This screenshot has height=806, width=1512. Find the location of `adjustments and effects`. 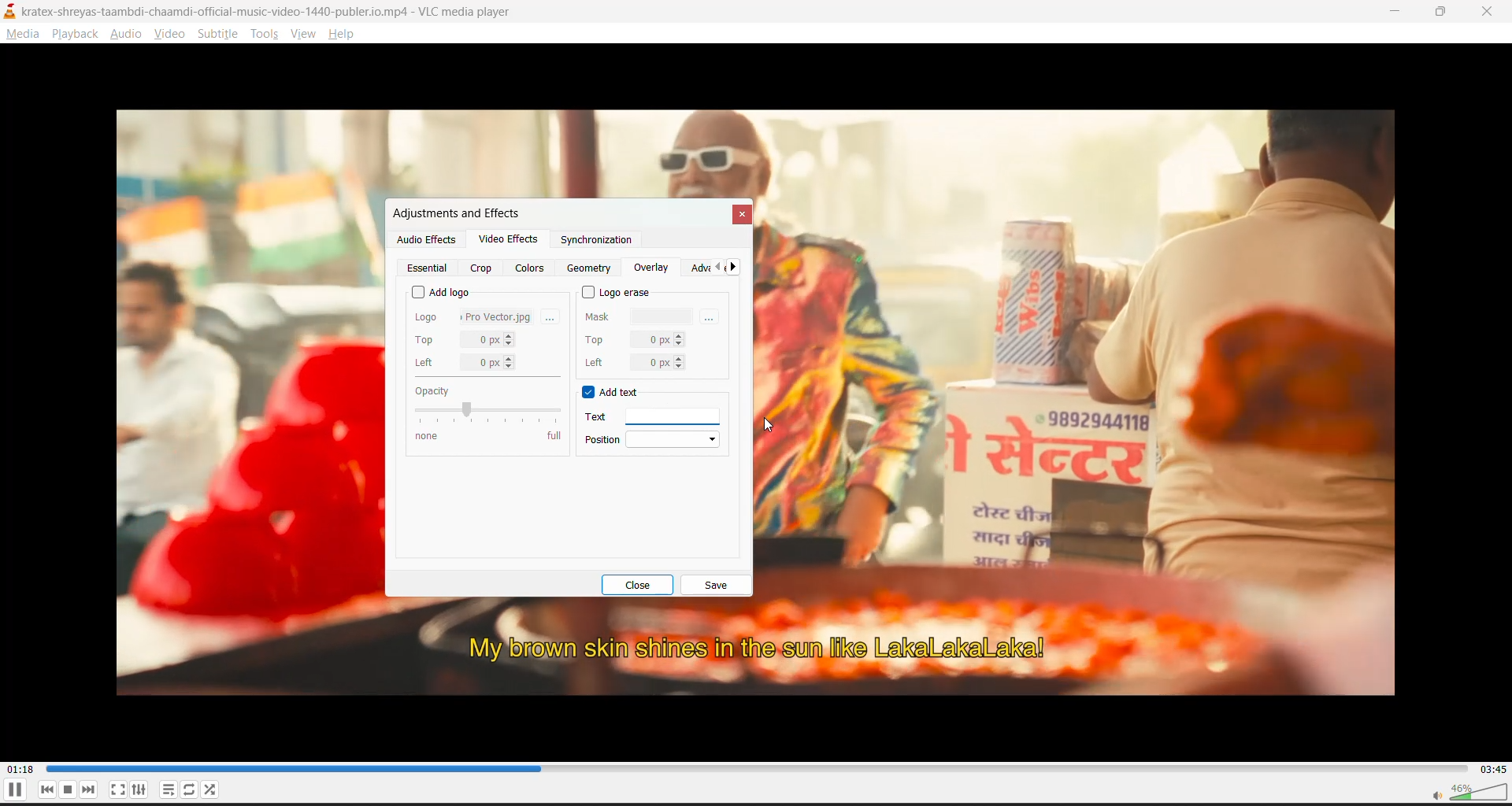

adjustments and effects is located at coordinates (454, 213).